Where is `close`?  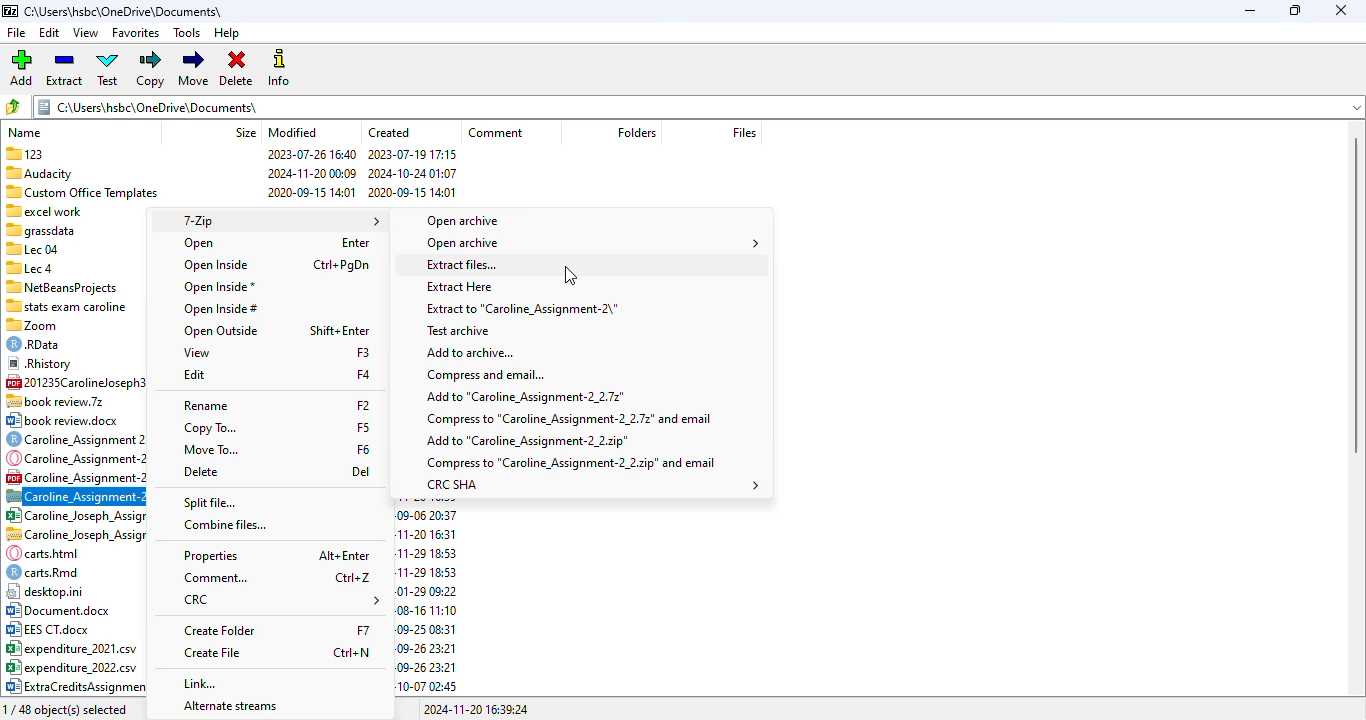
close is located at coordinates (1340, 10).